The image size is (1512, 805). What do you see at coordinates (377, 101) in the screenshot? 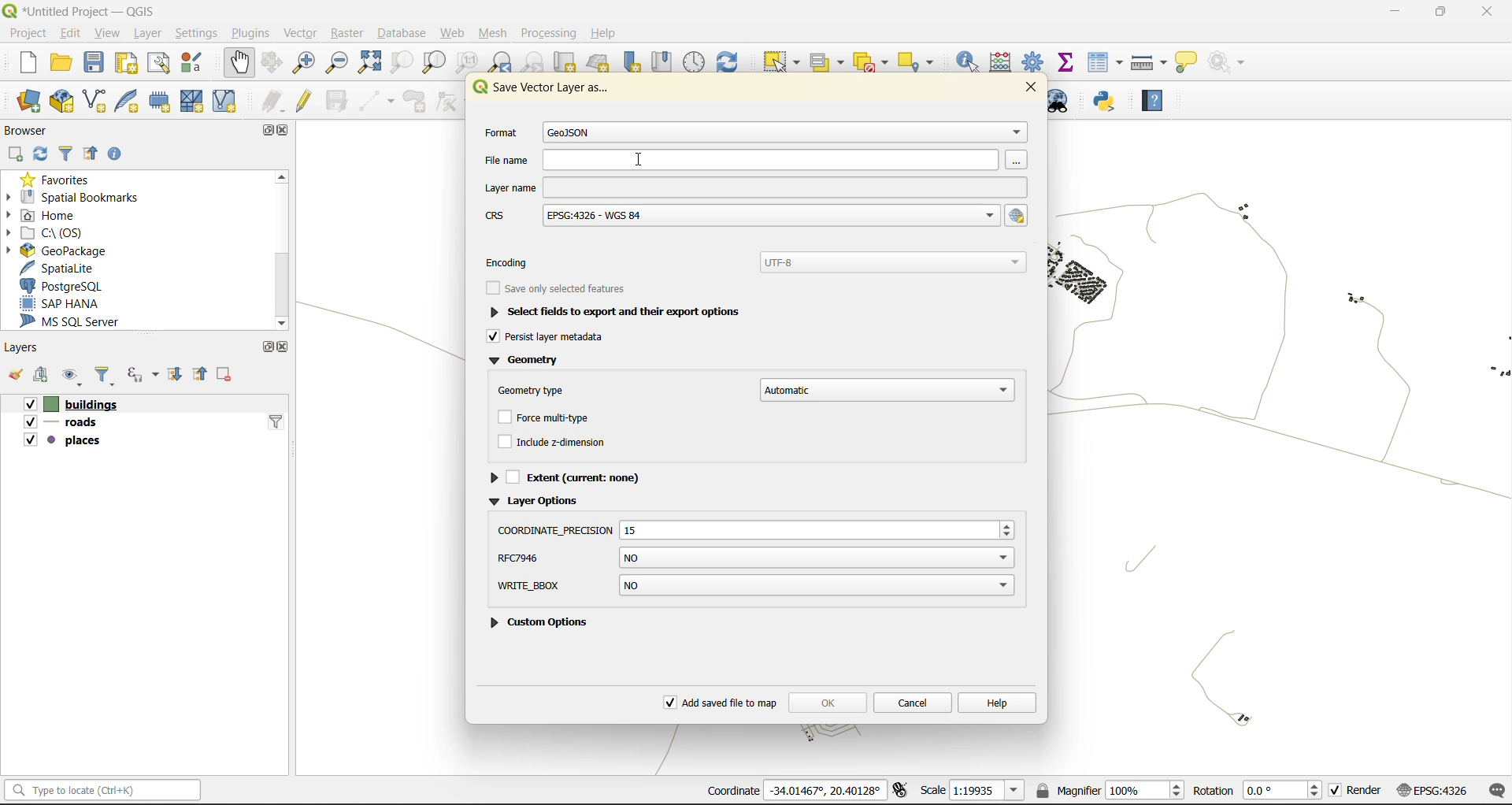
I see `digitize` at bounding box center [377, 101].